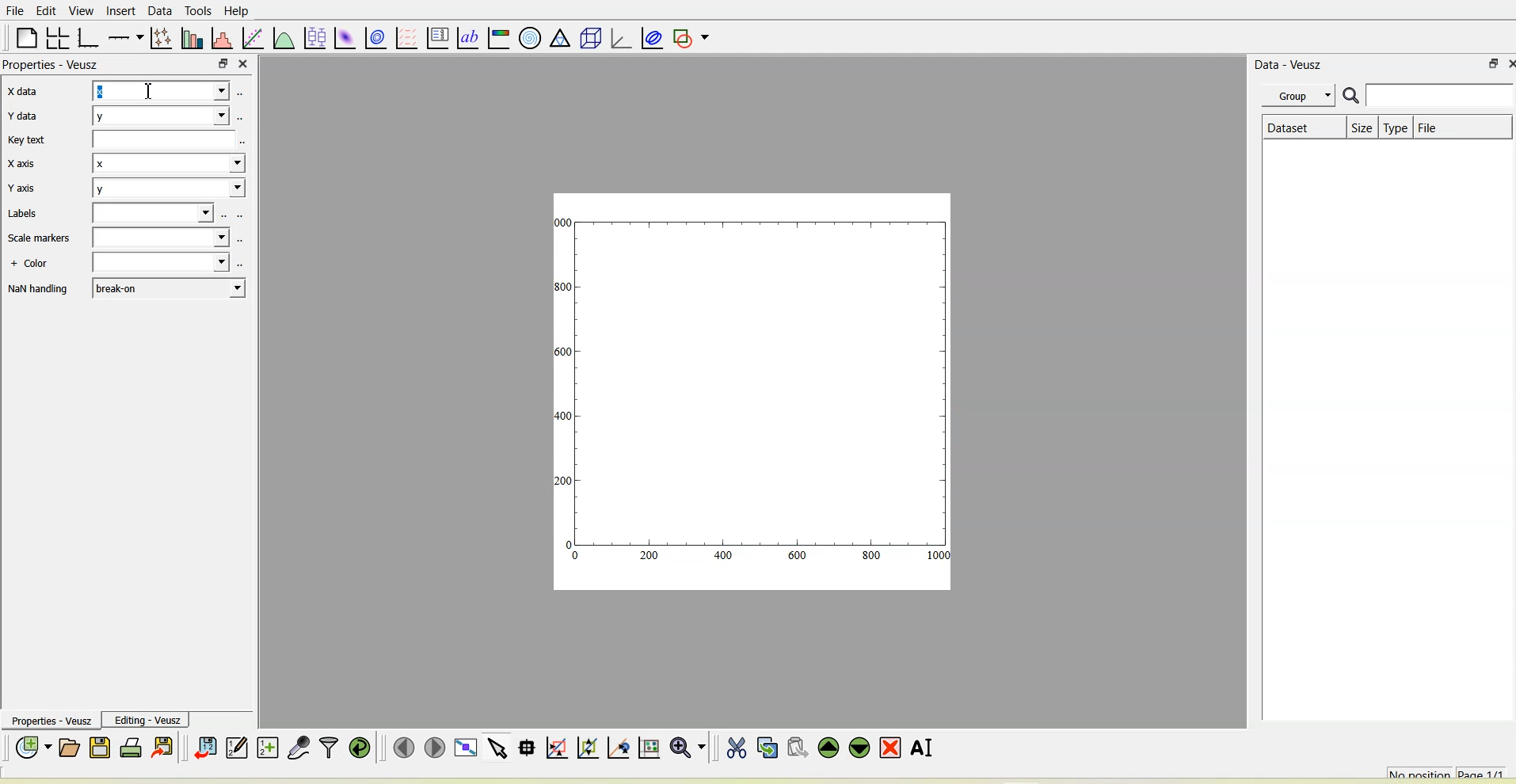 The width and height of the screenshot is (1516, 784). What do you see at coordinates (403, 747) in the screenshot?
I see `Move to the previous page` at bounding box center [403, 747].